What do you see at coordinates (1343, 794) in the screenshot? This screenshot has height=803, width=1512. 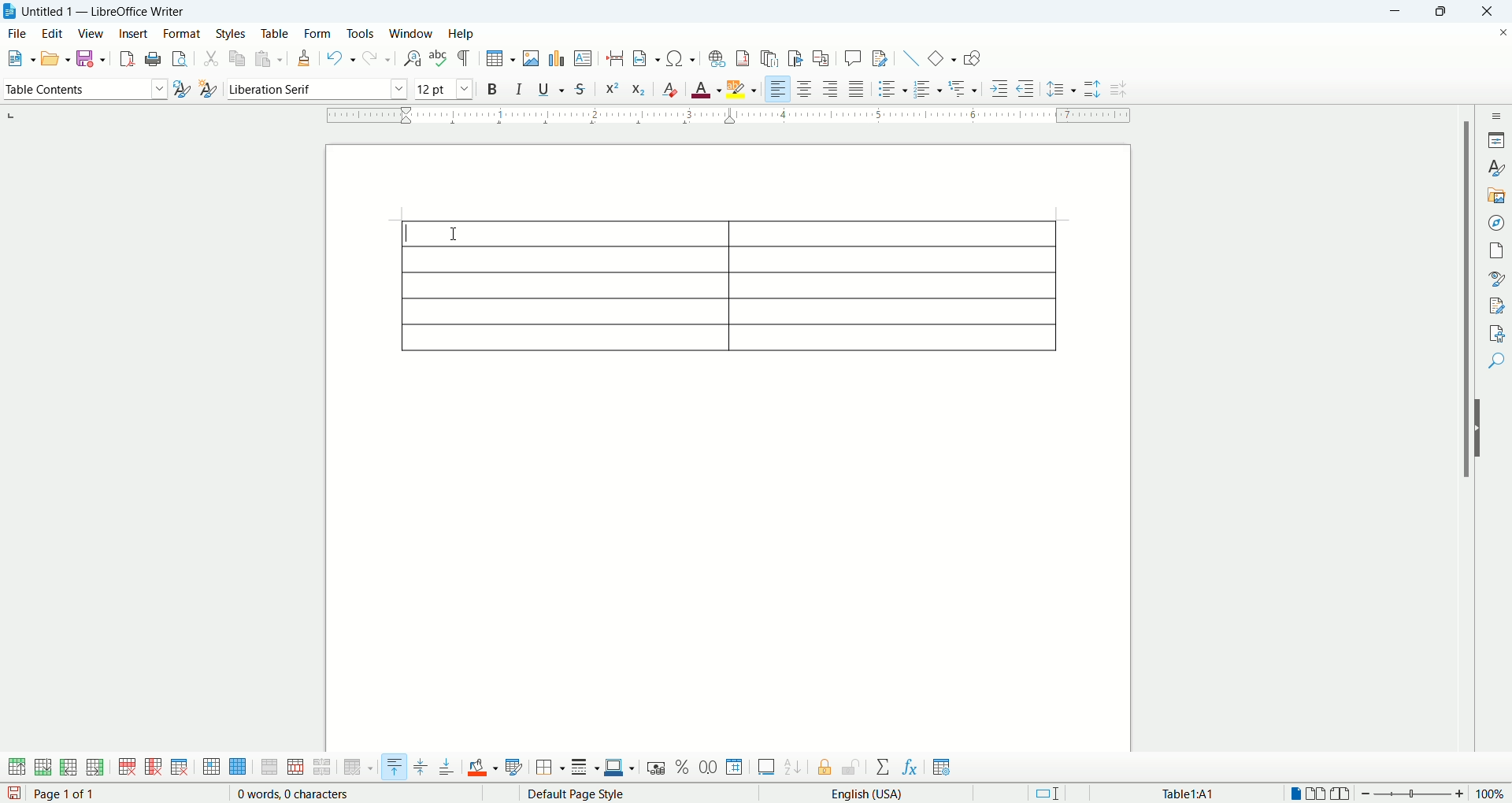 I see `book view` at bounding box center [1343, 794].